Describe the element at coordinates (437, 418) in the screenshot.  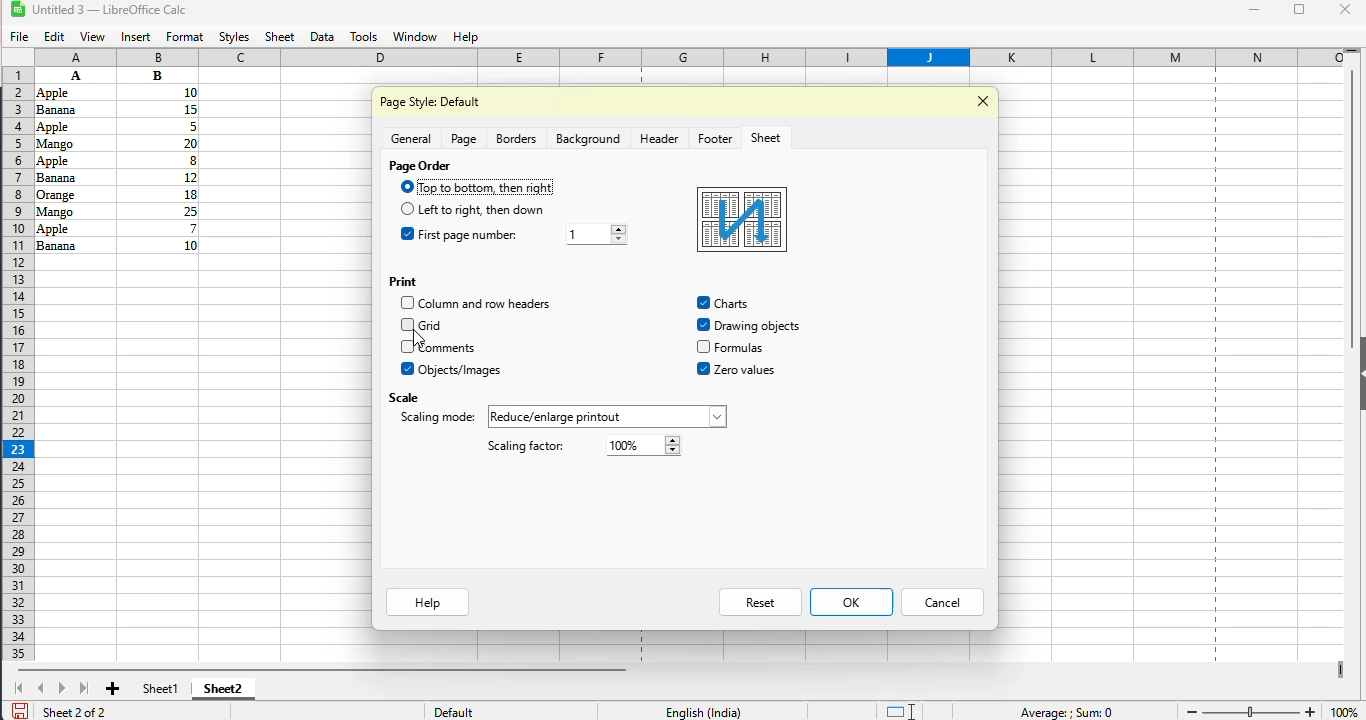
I see `scaling mode: reduce/enlarge/printout` at that location.